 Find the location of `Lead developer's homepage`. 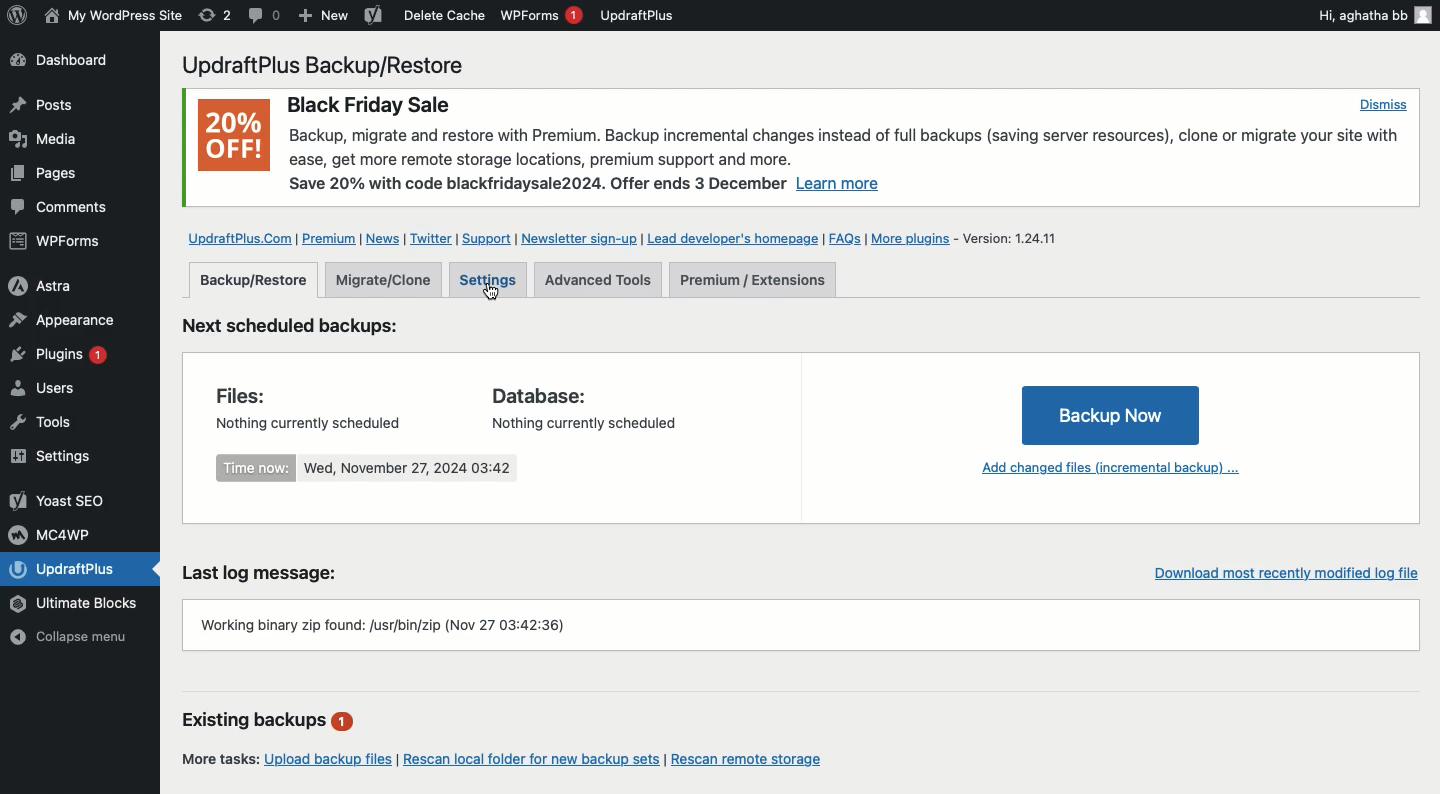

Lead developer's homepage is located at coordinates (733, 237).